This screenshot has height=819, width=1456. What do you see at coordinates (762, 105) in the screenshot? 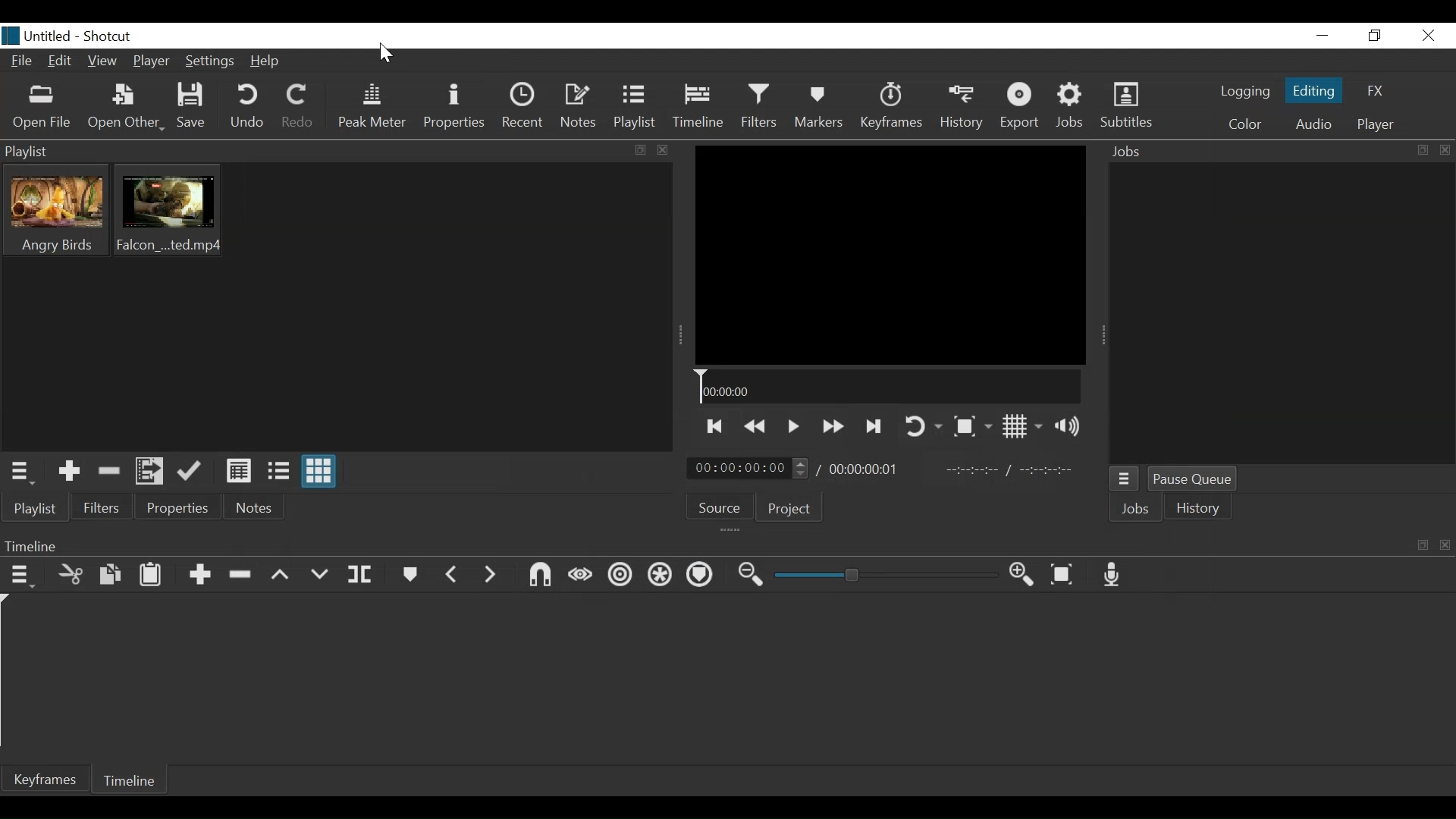
I see `Filters` at bounding box center [762, 105].